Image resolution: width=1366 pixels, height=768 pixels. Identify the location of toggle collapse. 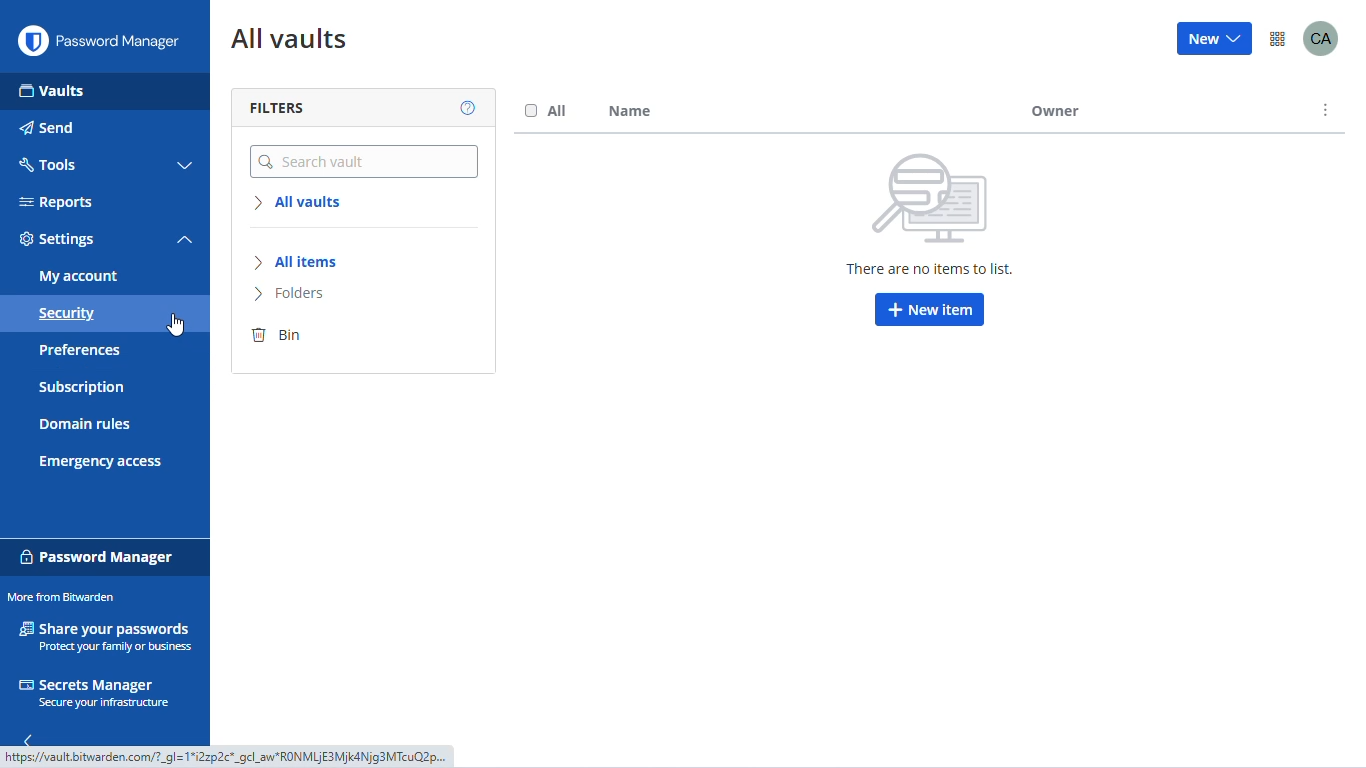
(185, 241).